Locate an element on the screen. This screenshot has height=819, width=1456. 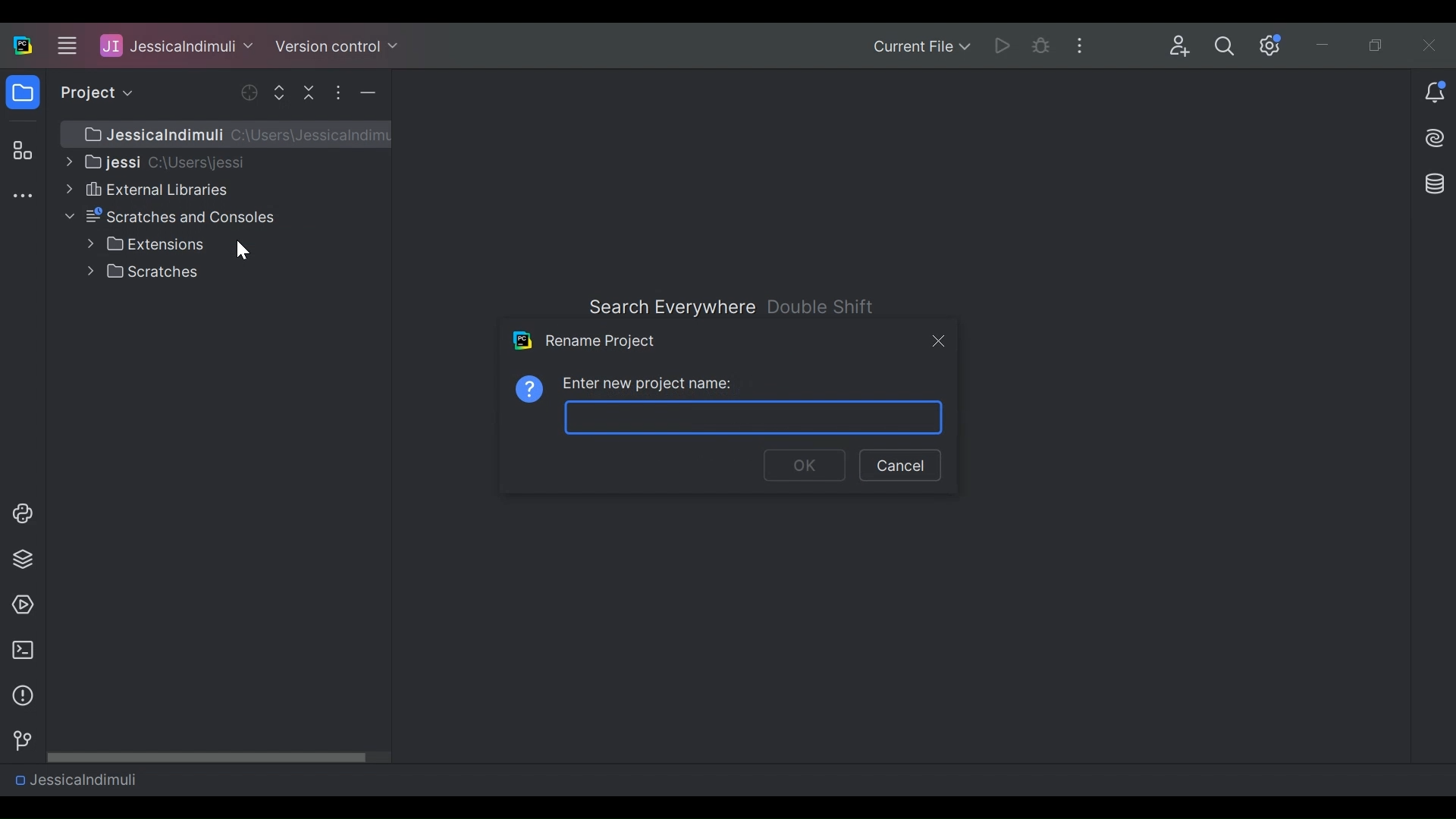
Cursor is located at coordinates (241, 249).